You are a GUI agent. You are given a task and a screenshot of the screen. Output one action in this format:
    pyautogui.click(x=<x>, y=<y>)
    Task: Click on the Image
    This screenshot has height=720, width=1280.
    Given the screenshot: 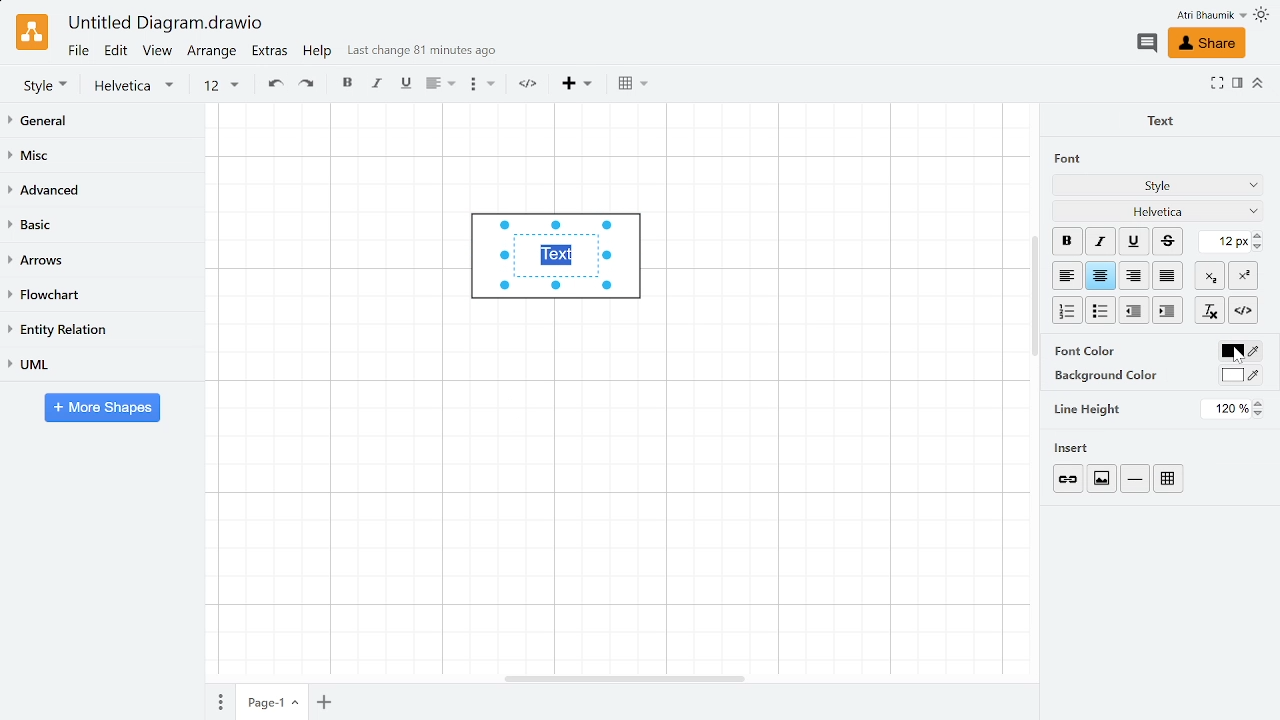 What is the action you would take?
    pyautogui.click(x=1100, y=478)
    